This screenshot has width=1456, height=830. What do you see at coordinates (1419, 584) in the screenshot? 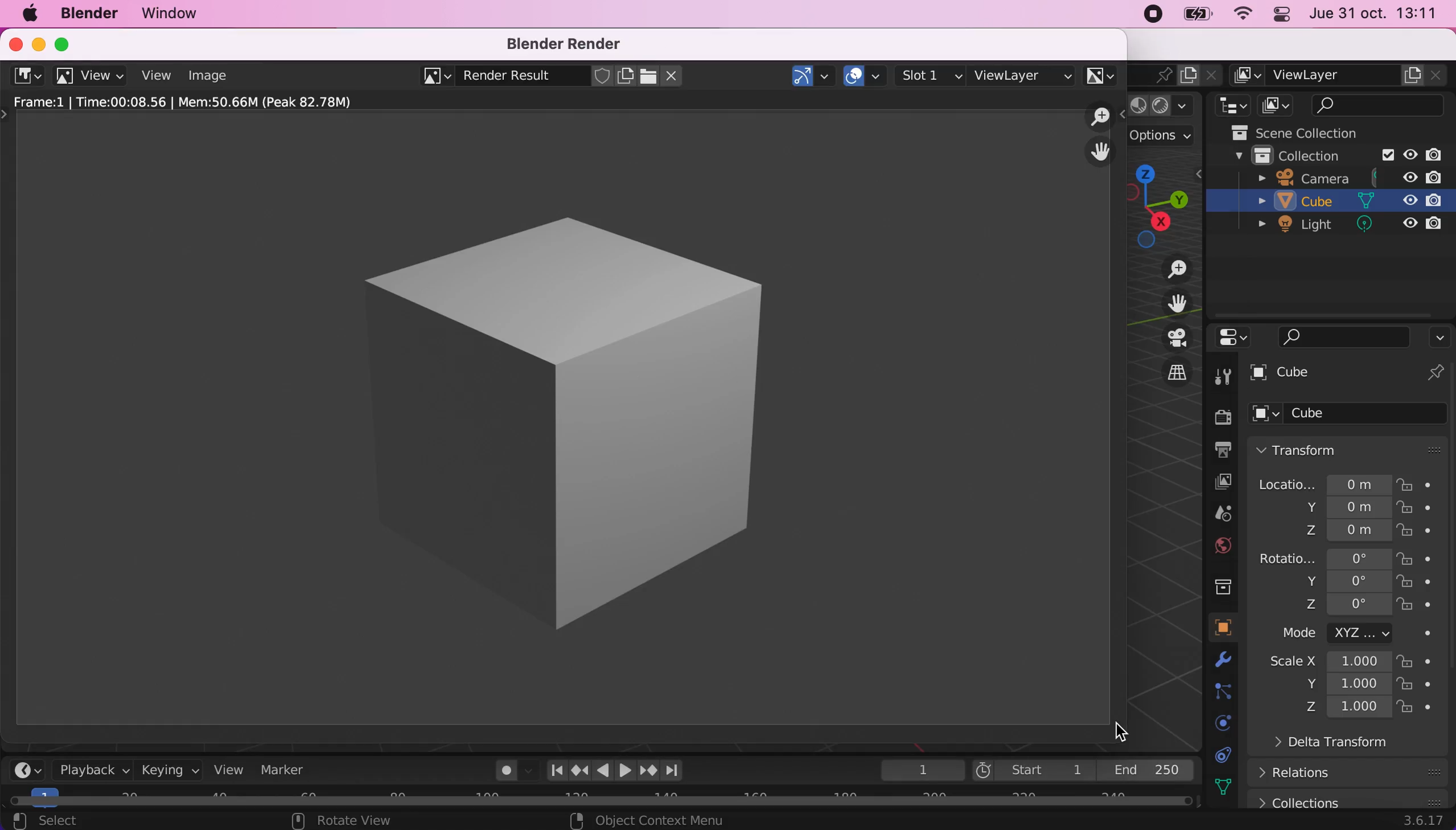
I see `lock` at bounding box center [1419, 584].